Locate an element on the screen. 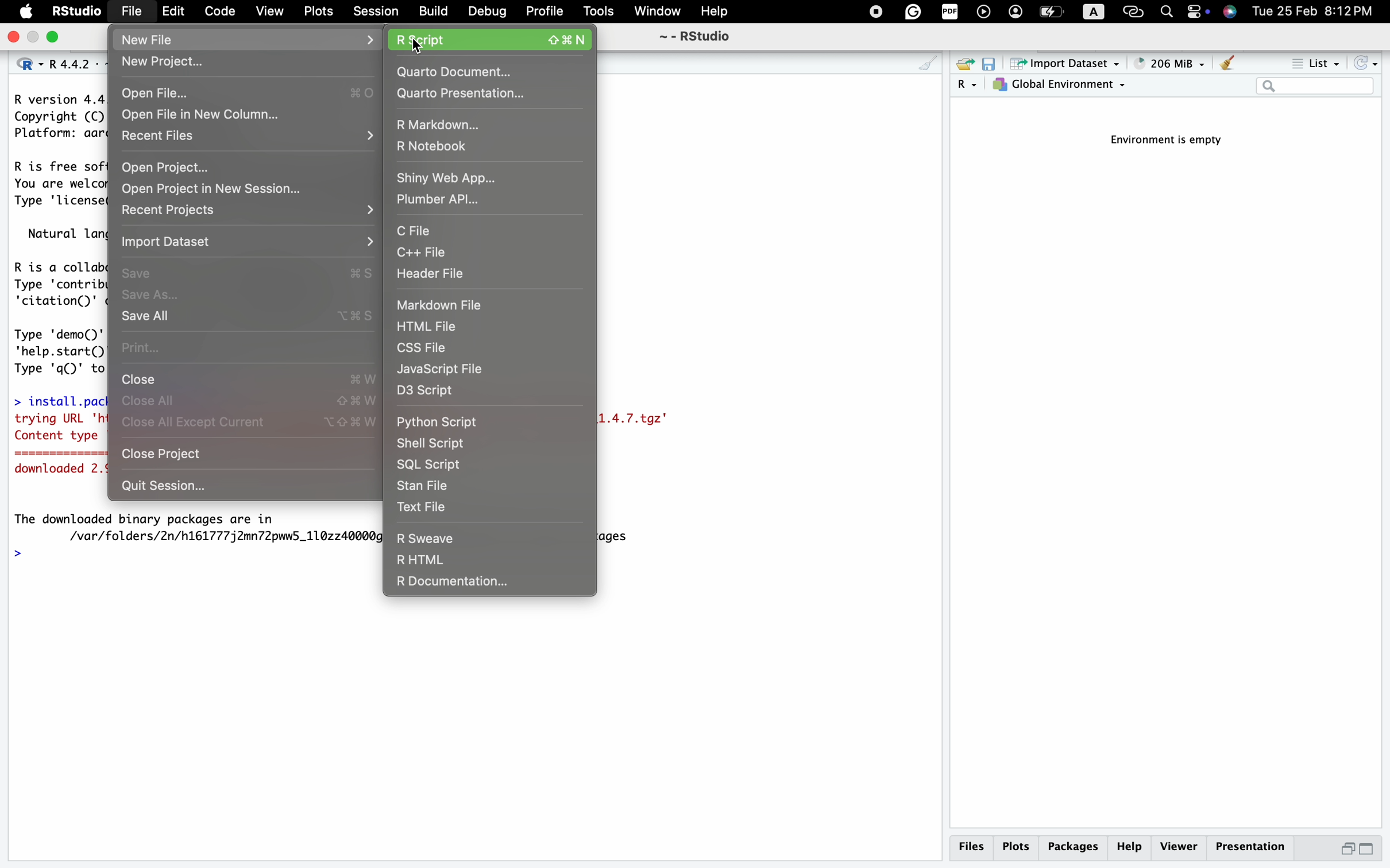 The width and height of the screenshot is (1390, 868). language select is located at coordinates (22, 63).